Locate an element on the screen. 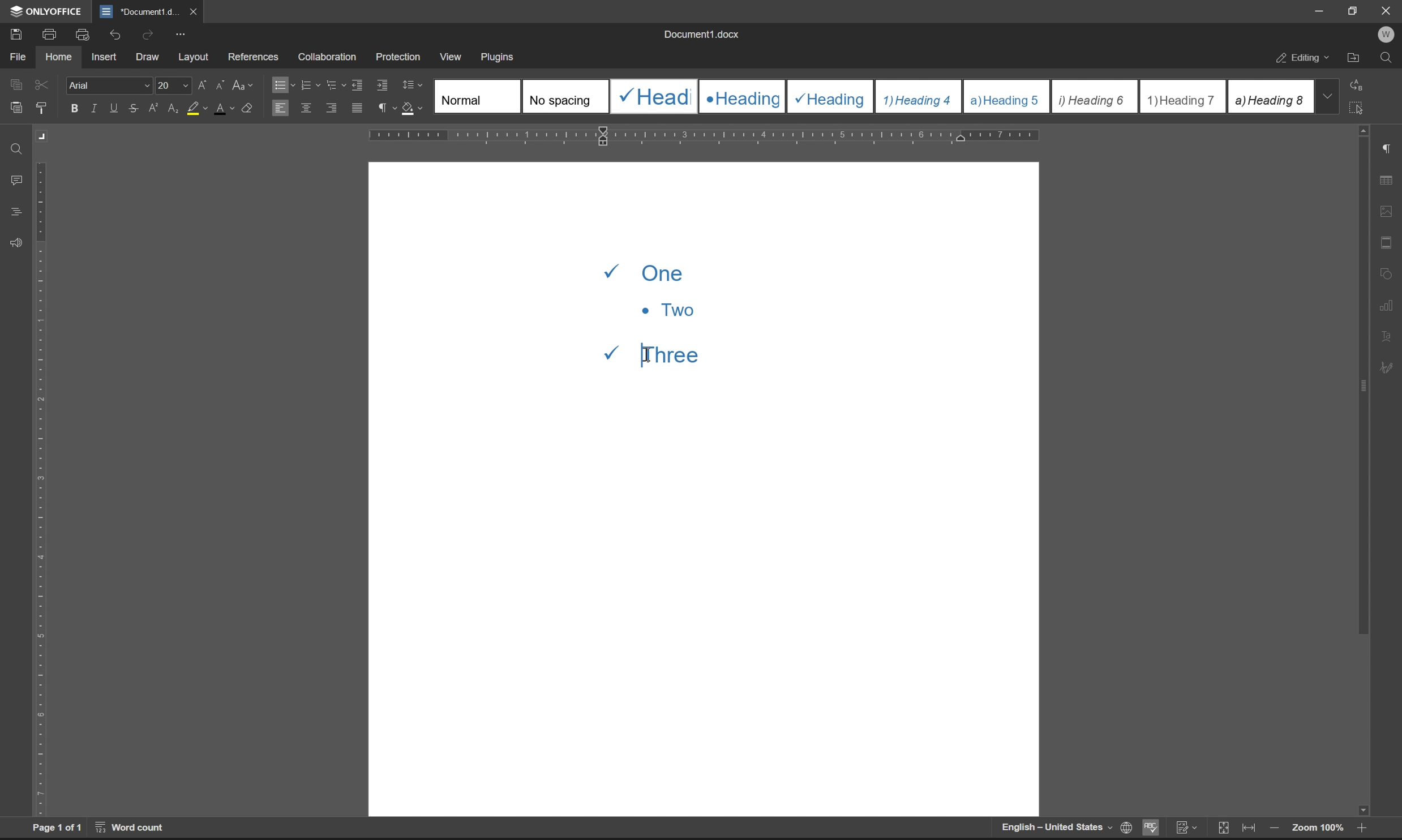 This screenshot has width=1402, height=840. one is located at coordinates (650, 271).